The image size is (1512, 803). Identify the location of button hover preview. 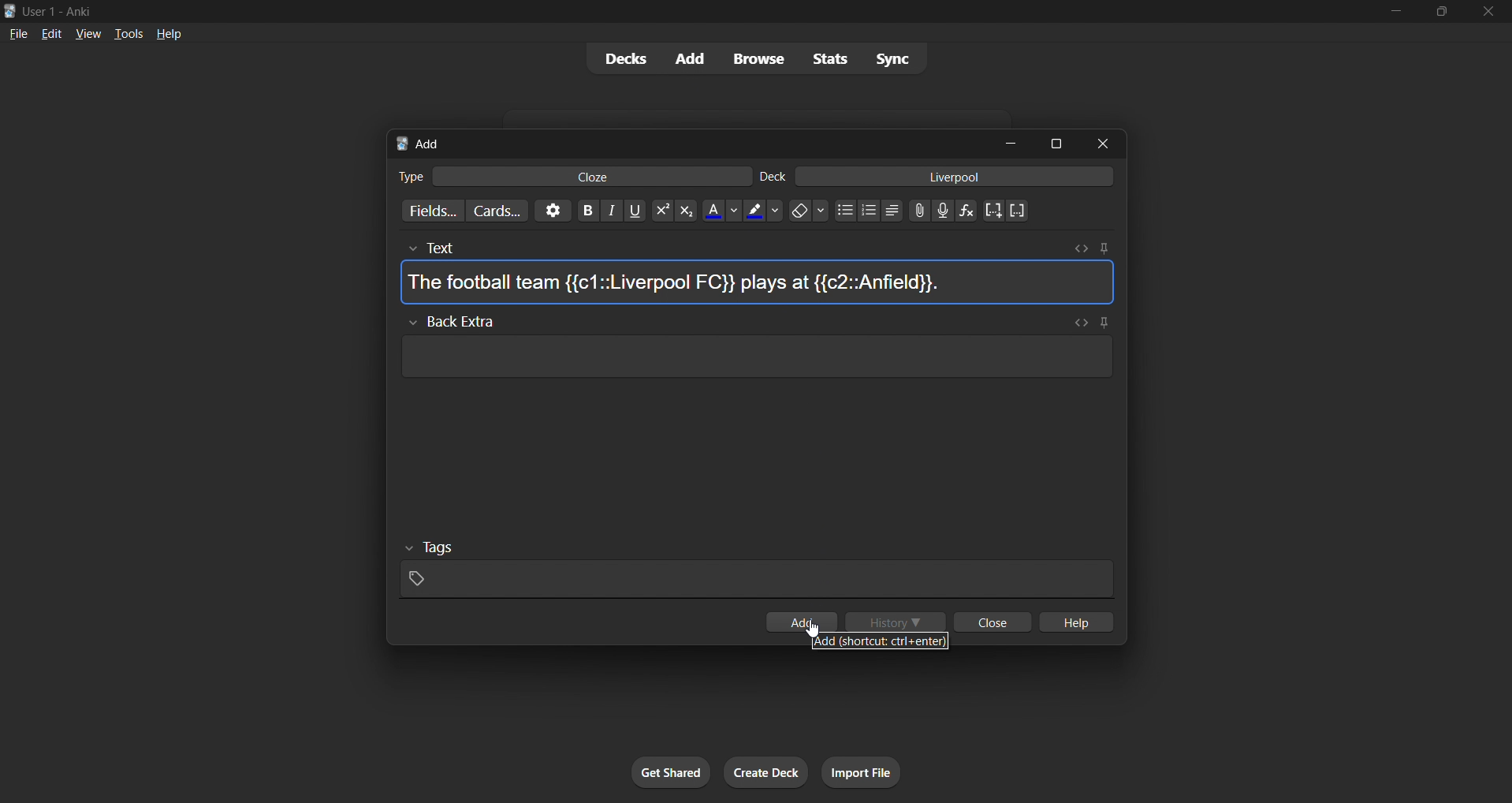
(884, 640).